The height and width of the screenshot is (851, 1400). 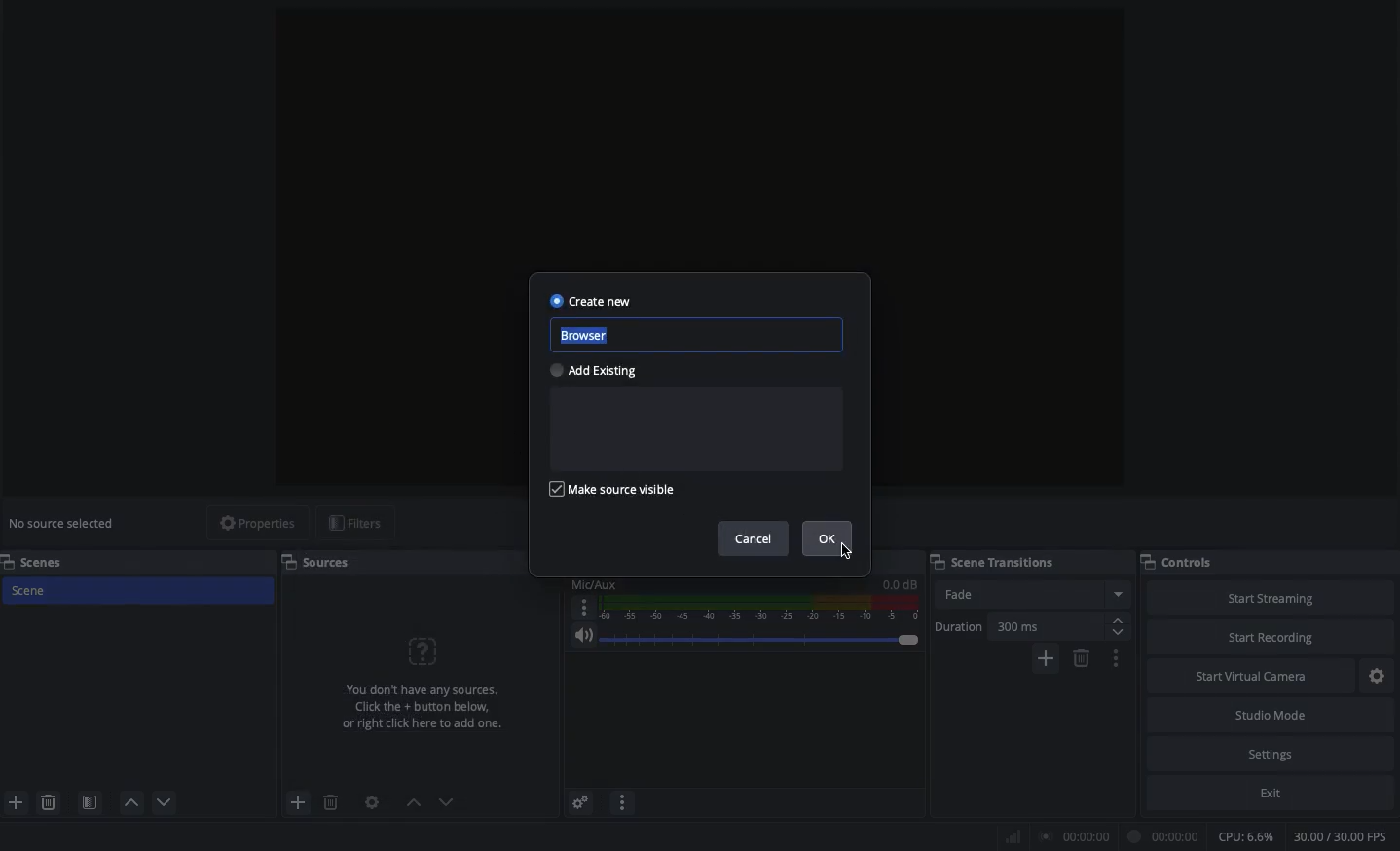 I want to click on Cancel, so click(x=755, y=540).